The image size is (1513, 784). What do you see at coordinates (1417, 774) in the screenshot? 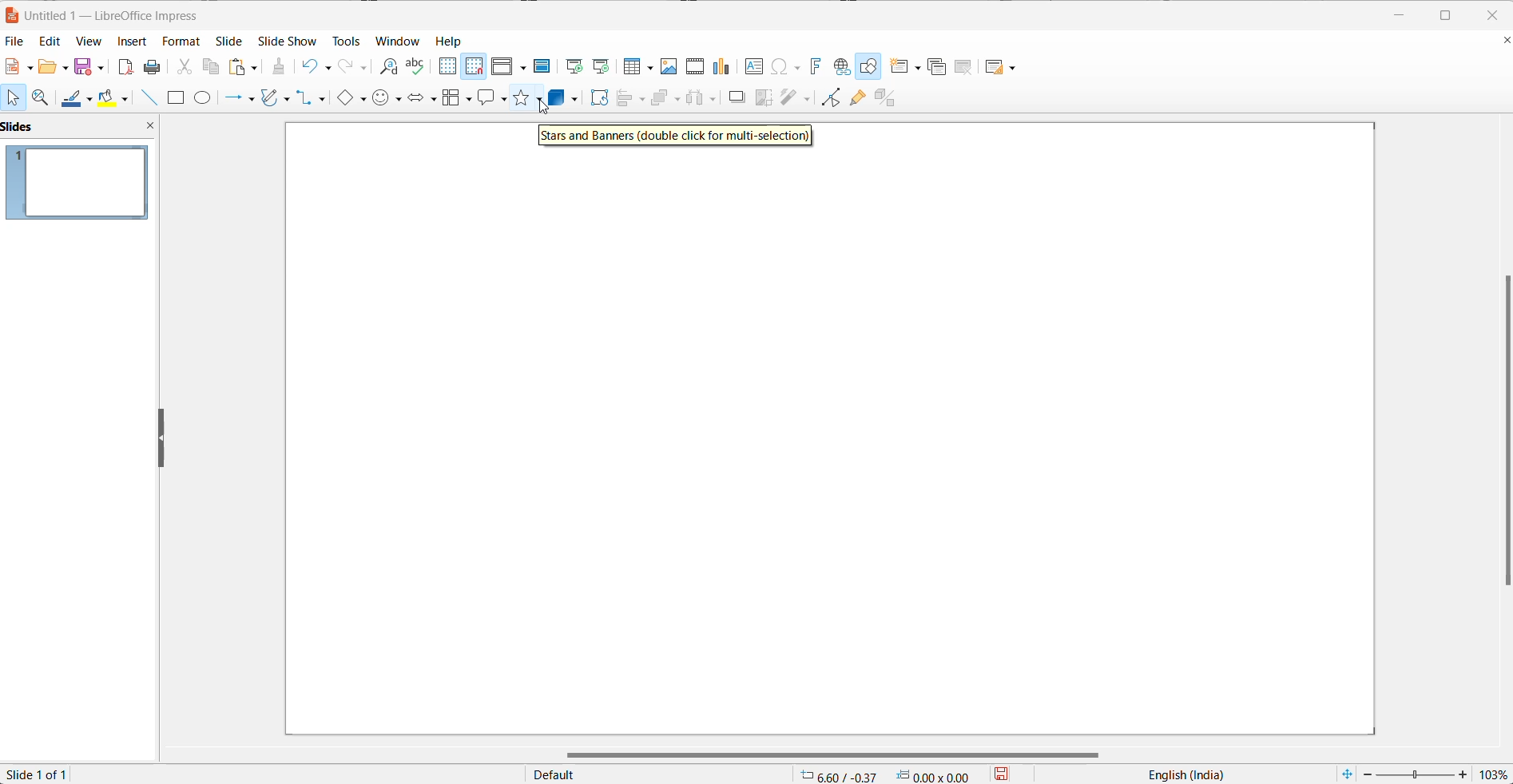
I see `zoom slider` at bounding box center [1417, 774].